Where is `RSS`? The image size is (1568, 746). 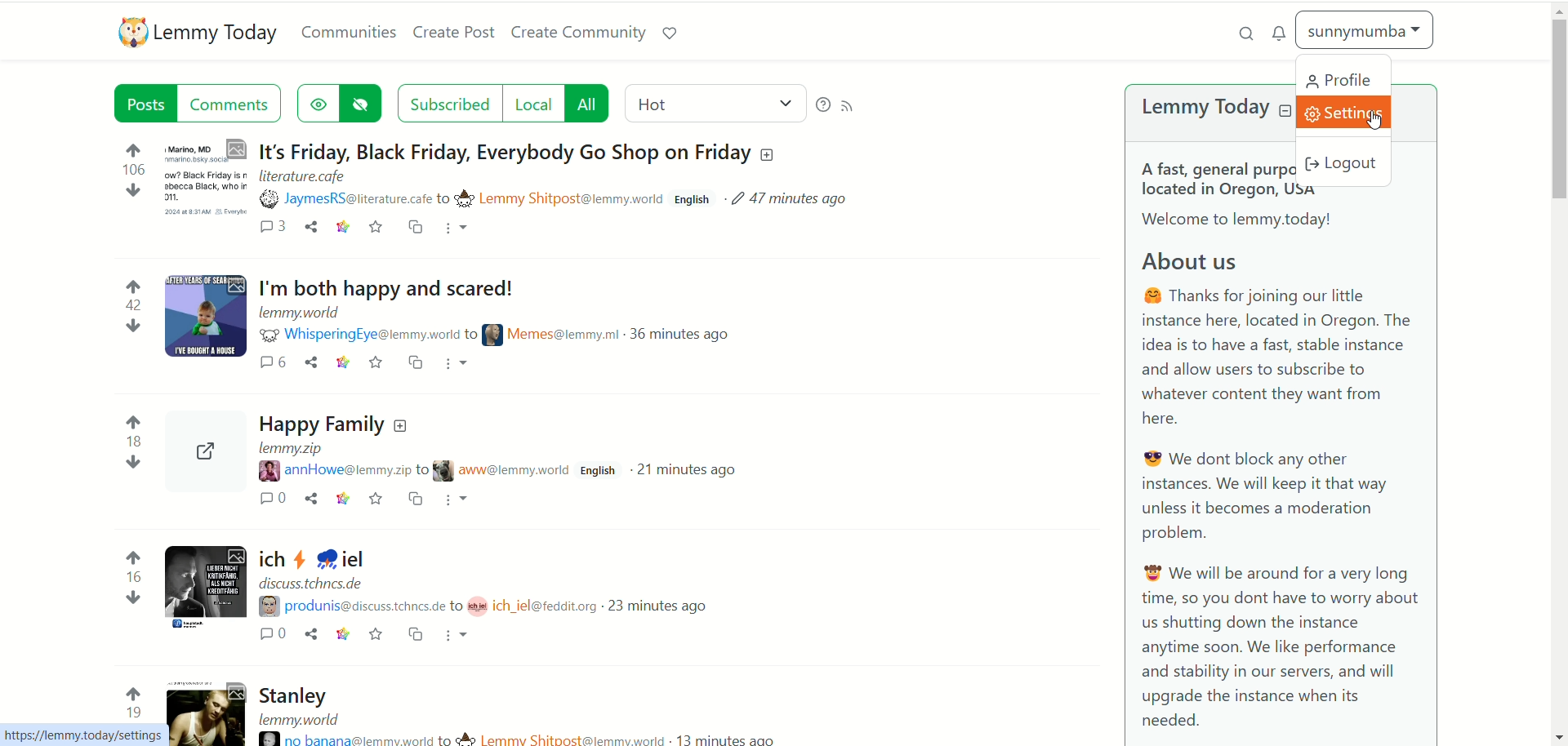
RSS is located at coordinates (851, 109).